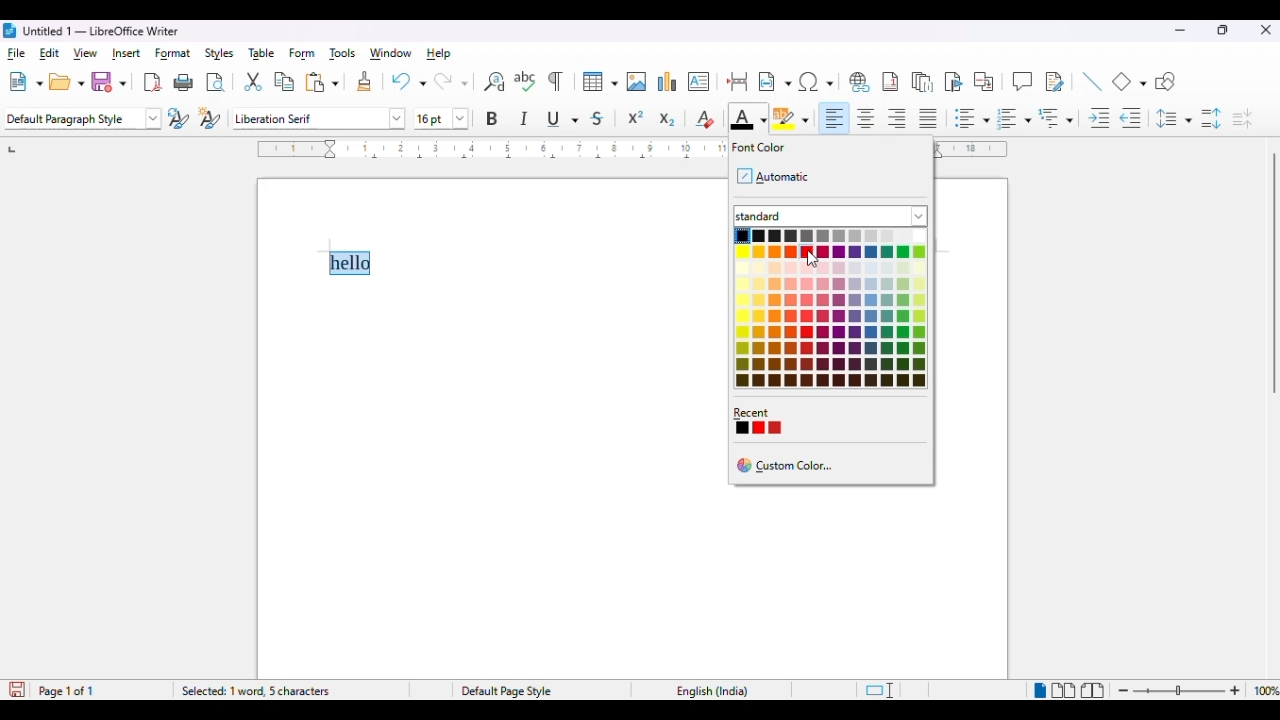  Describe the element at coordinates (126, 53) in the screenshot. I see `insert` at that location.